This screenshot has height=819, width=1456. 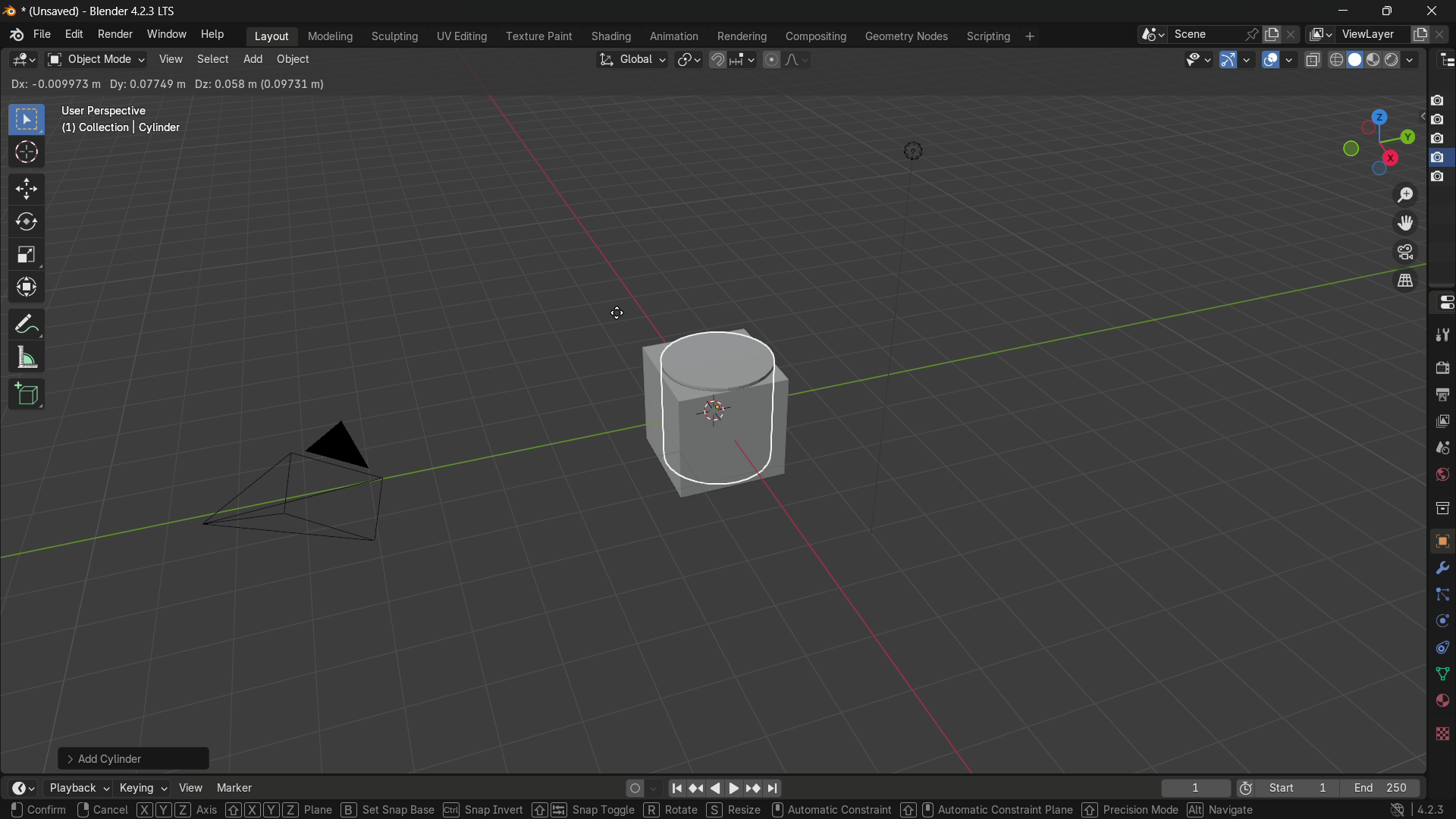 What do you see at coordinates (236, 787) in the screenshot?
I see `marker` at bounding box center [236, 787].